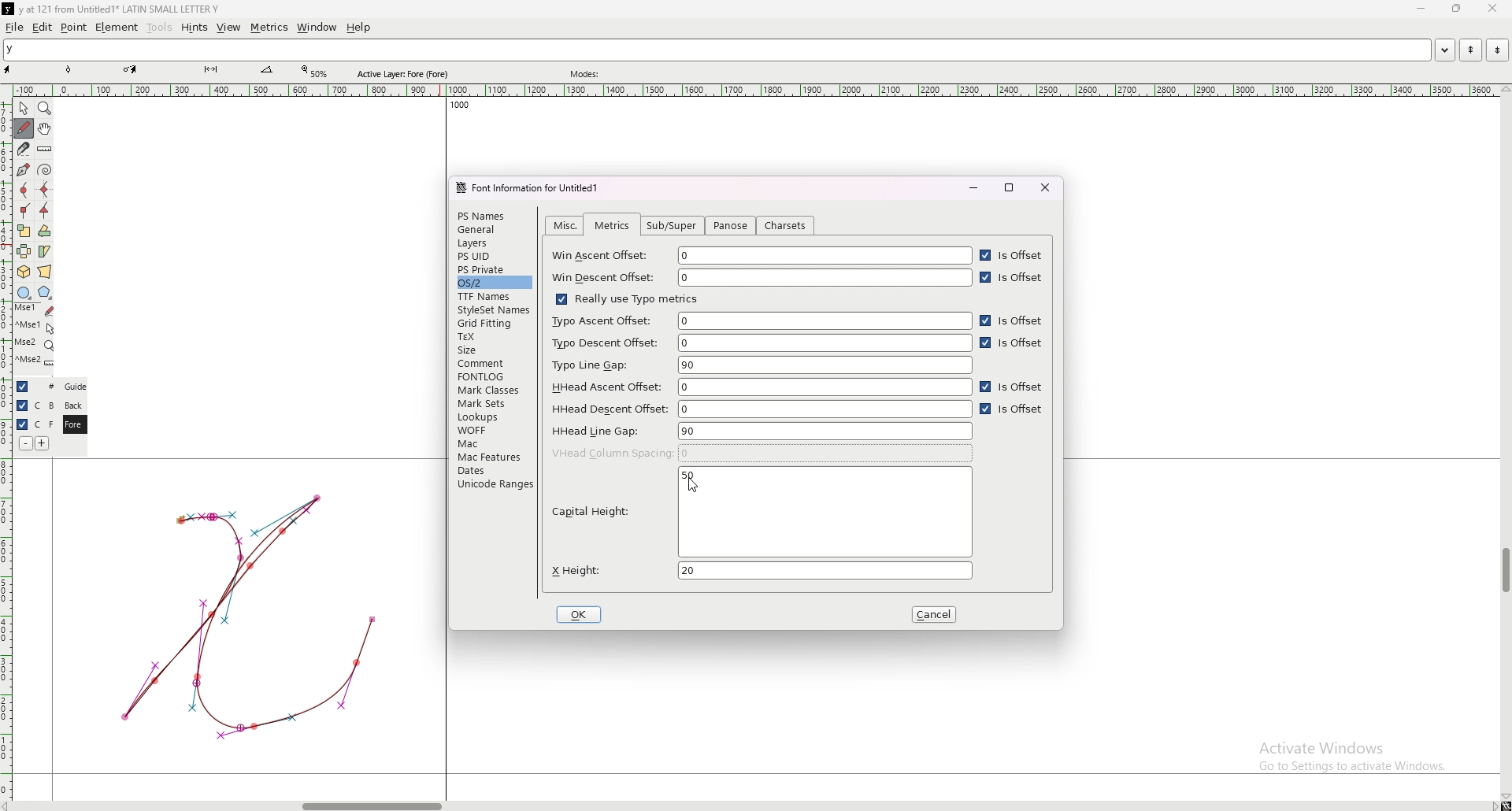 Image resolution: width=1512 pixels, height=811 pixels. What do you see at coordinates (269, 28) in the screenshot?
I see `metrics` at bounding box center [269, 28].